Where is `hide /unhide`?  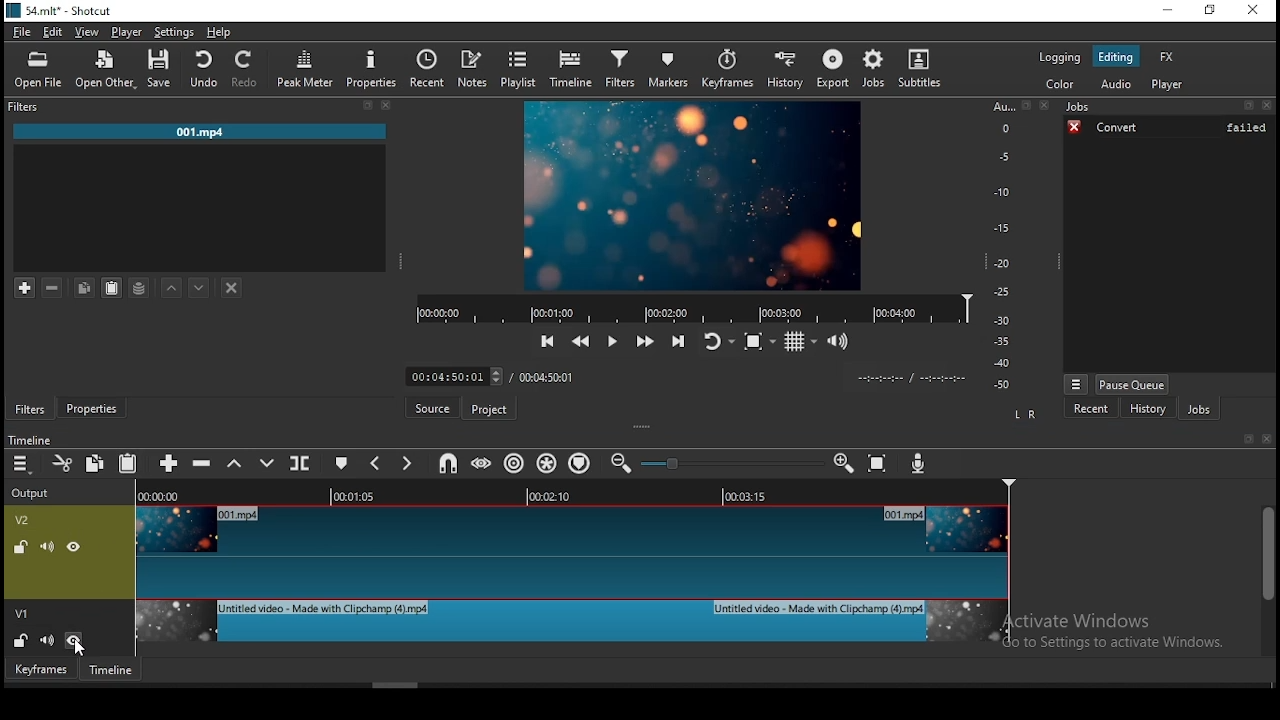
hide /unhide is located at coordinates (76, 639).